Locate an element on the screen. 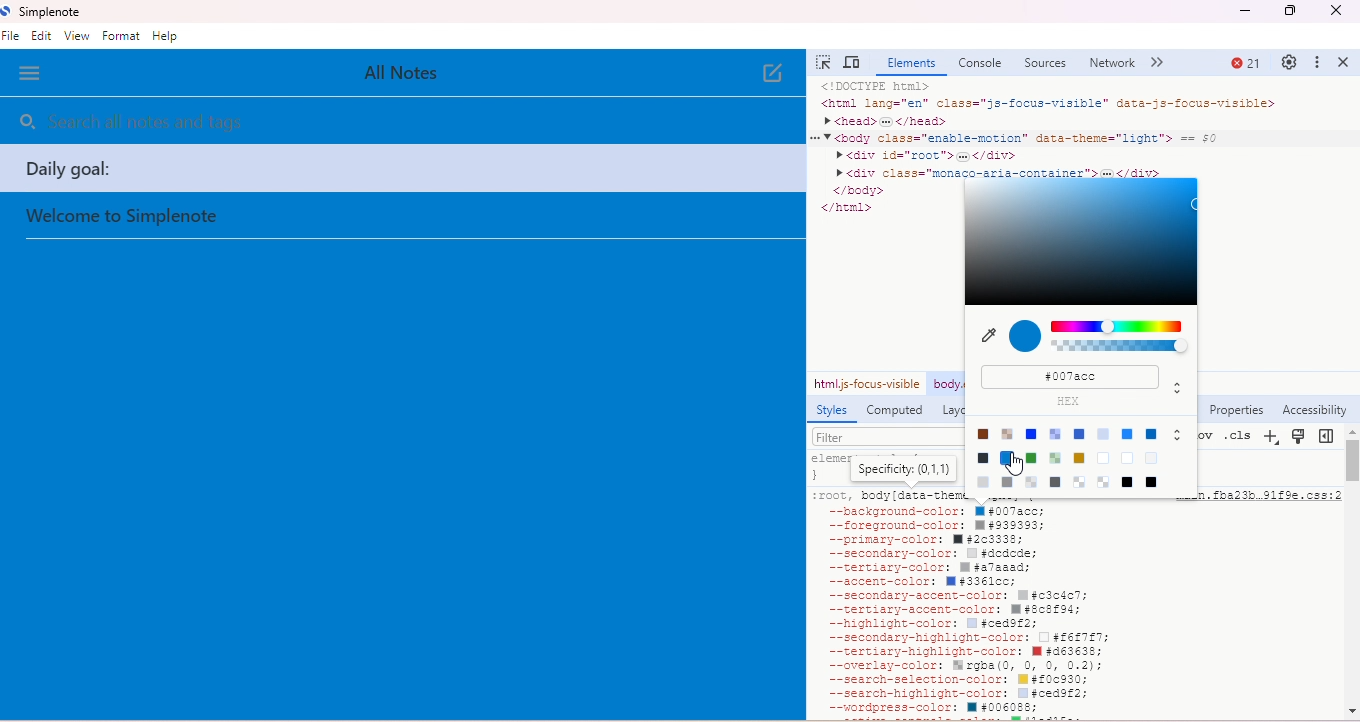 This screenshot has width=1360, height=722. color changed in background is located at coordinates (396, 508).